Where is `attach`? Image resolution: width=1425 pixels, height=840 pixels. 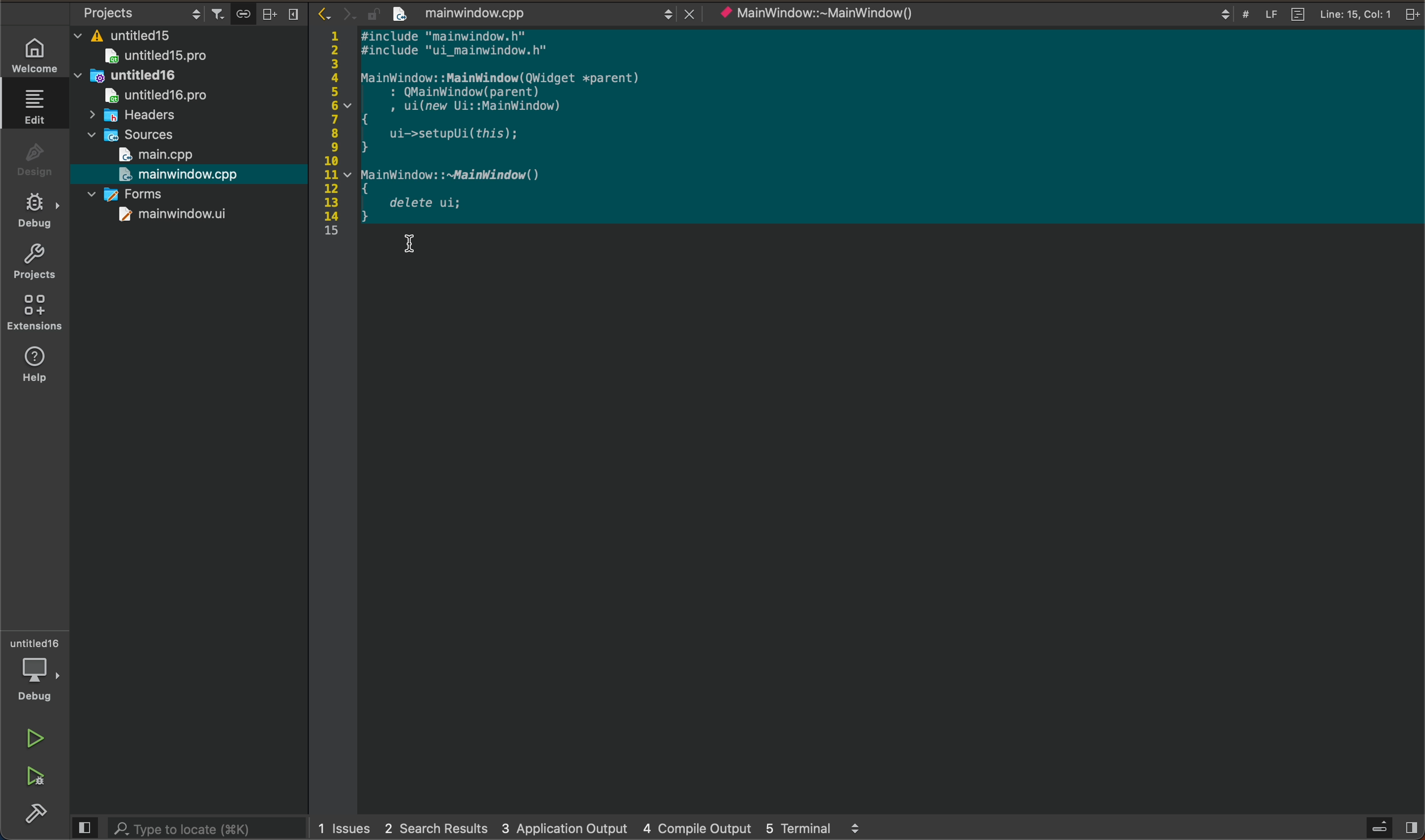
attach is located at coordinates (241, 14).